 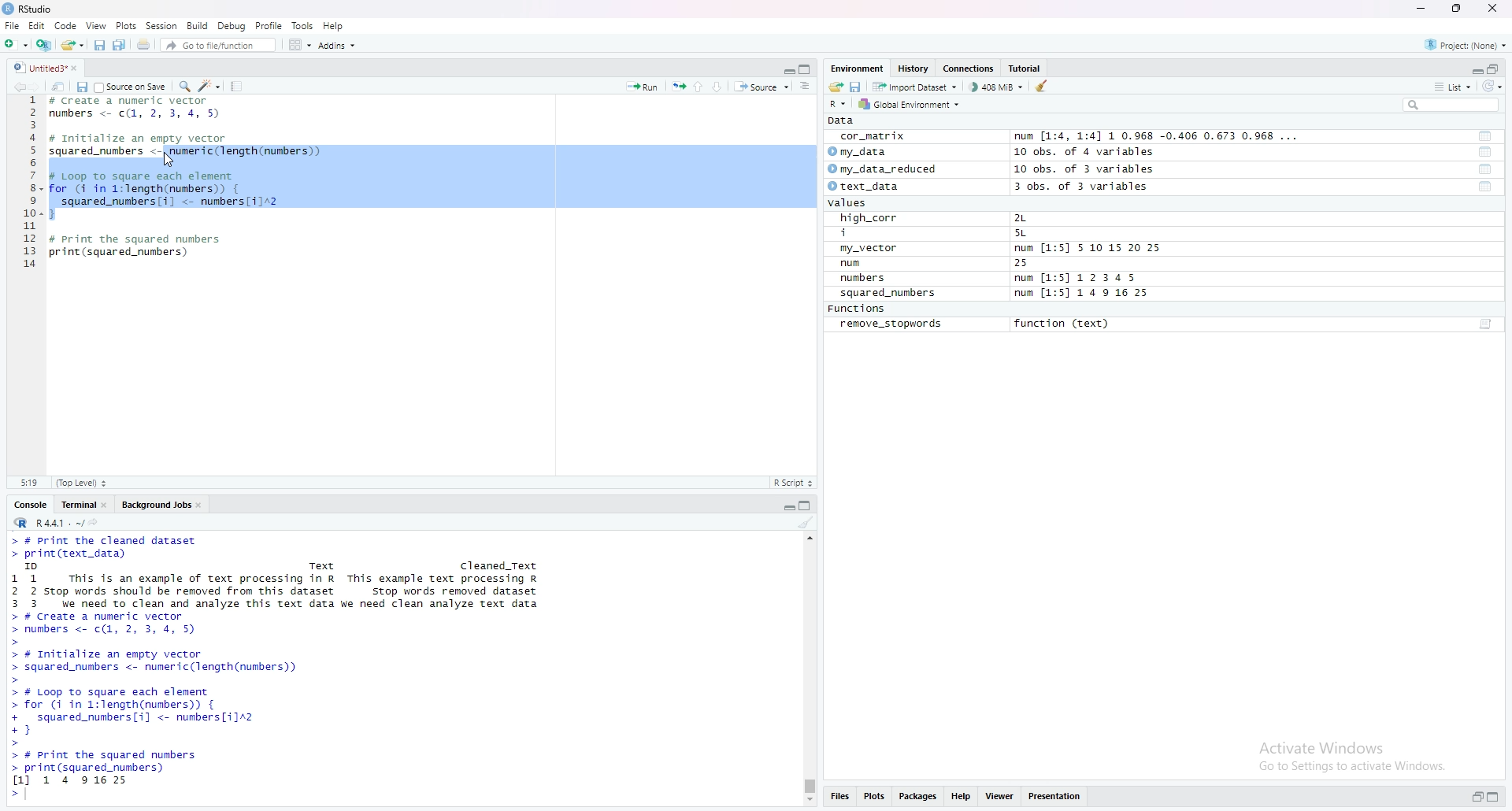 What do you see at coordinates (1467, 43) in the screenshot?
I see `Project: (None)` at bounding box center [1467, 43].